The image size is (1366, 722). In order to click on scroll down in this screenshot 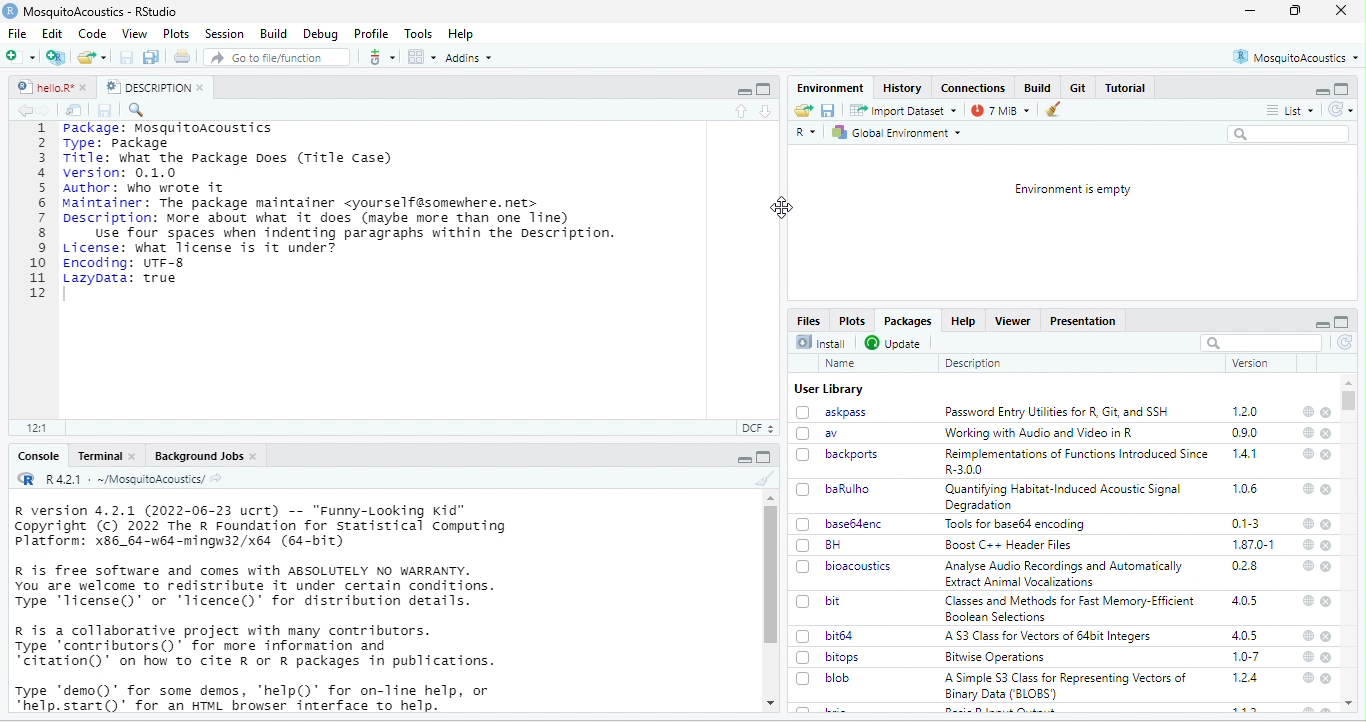, I will do `click(768, 704)`.